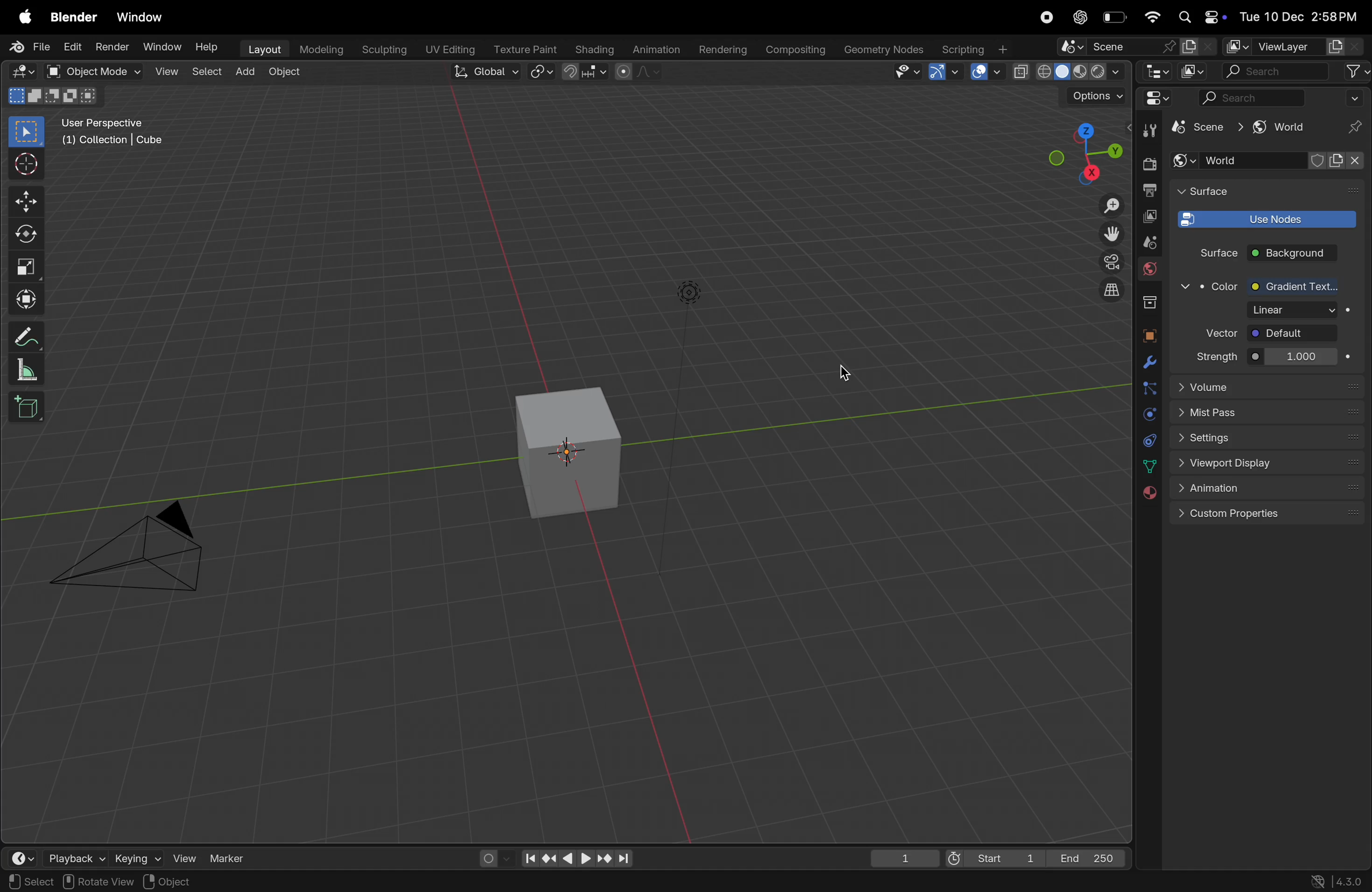 Image resolution: width=1372 pixels, height=892 pixels. I want to click on view shading, so click(1067, 73).